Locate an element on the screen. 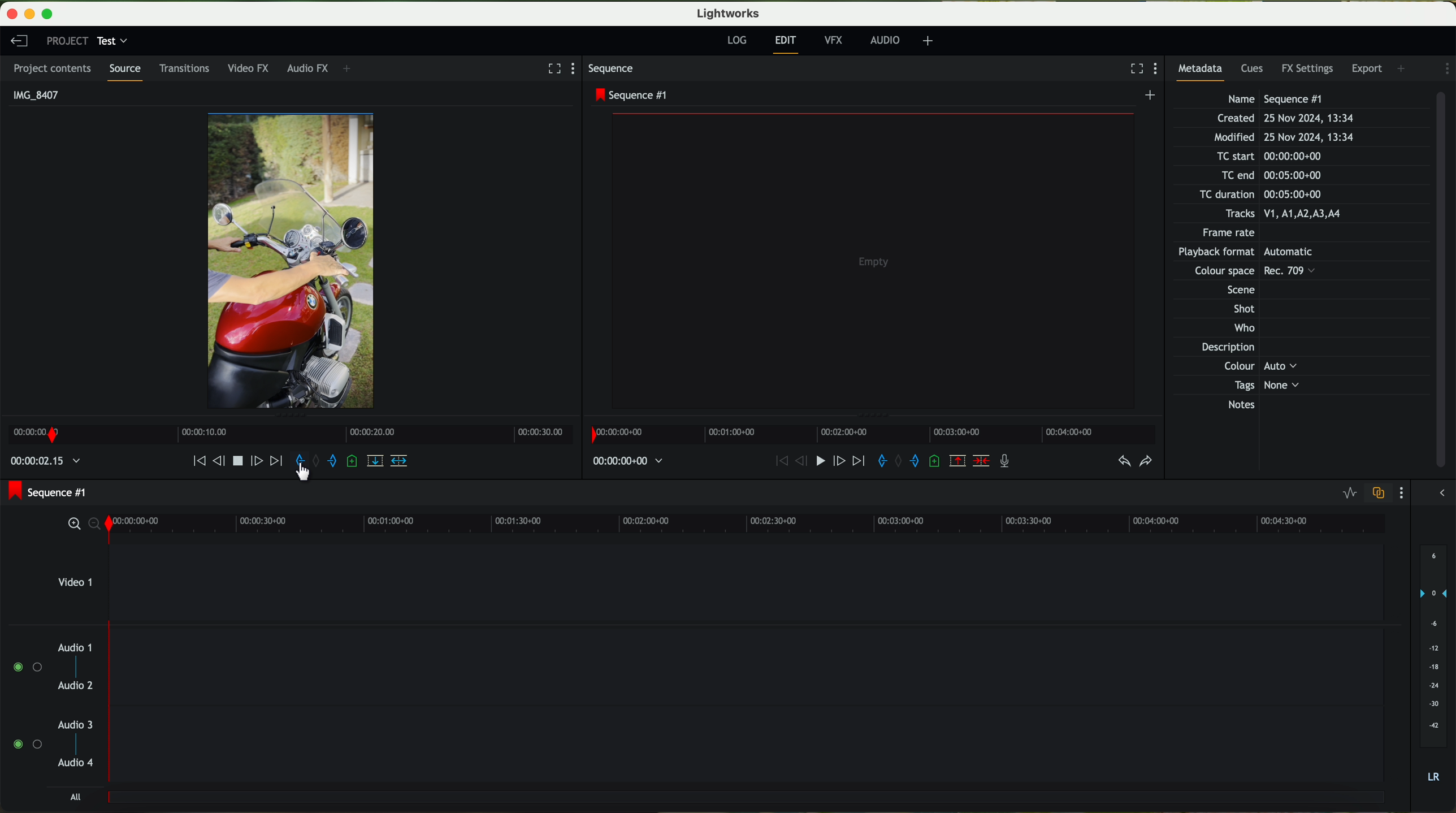 Image resolution: width=1456 pixels, height=813 pixels. video preview is located at coordinates (873, 260).